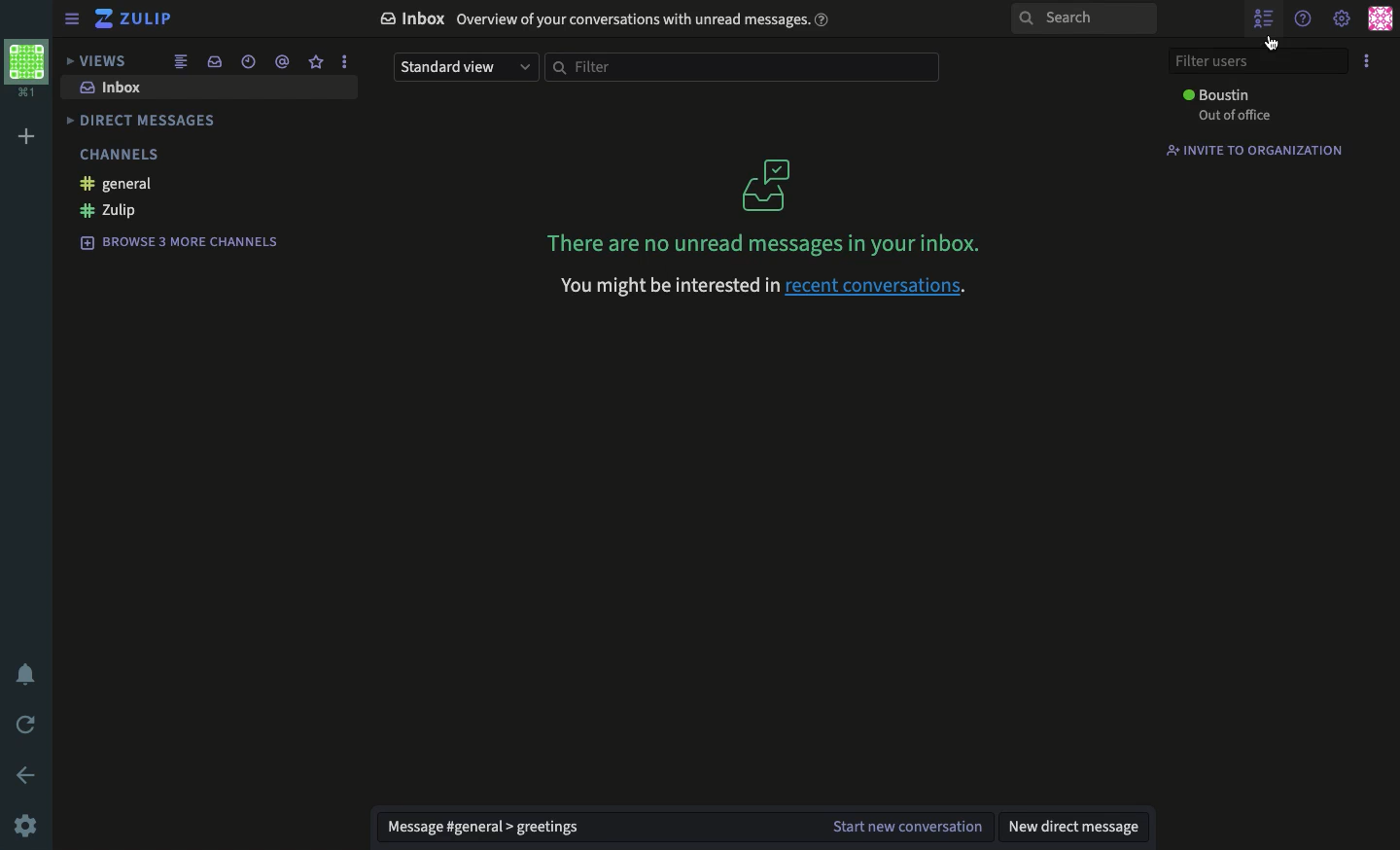 Image resolution: width=1400 pixels, height=850 pixels. Describe the element at coordinates (27, 135) in the screenshot. I see `add workspace` at that location.